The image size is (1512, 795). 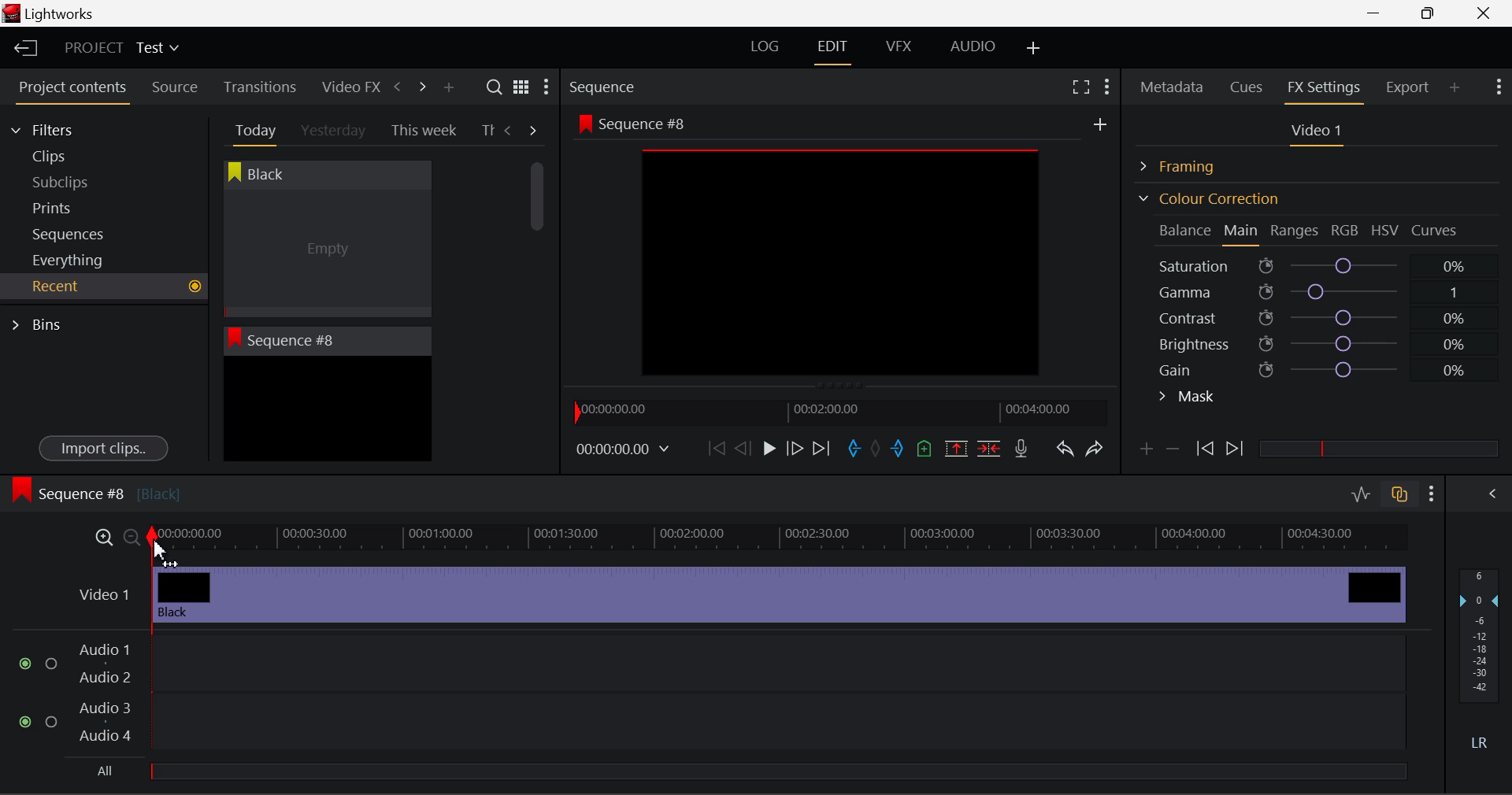 I want to click on Toggle list and title view, so click(x=521, y=87).